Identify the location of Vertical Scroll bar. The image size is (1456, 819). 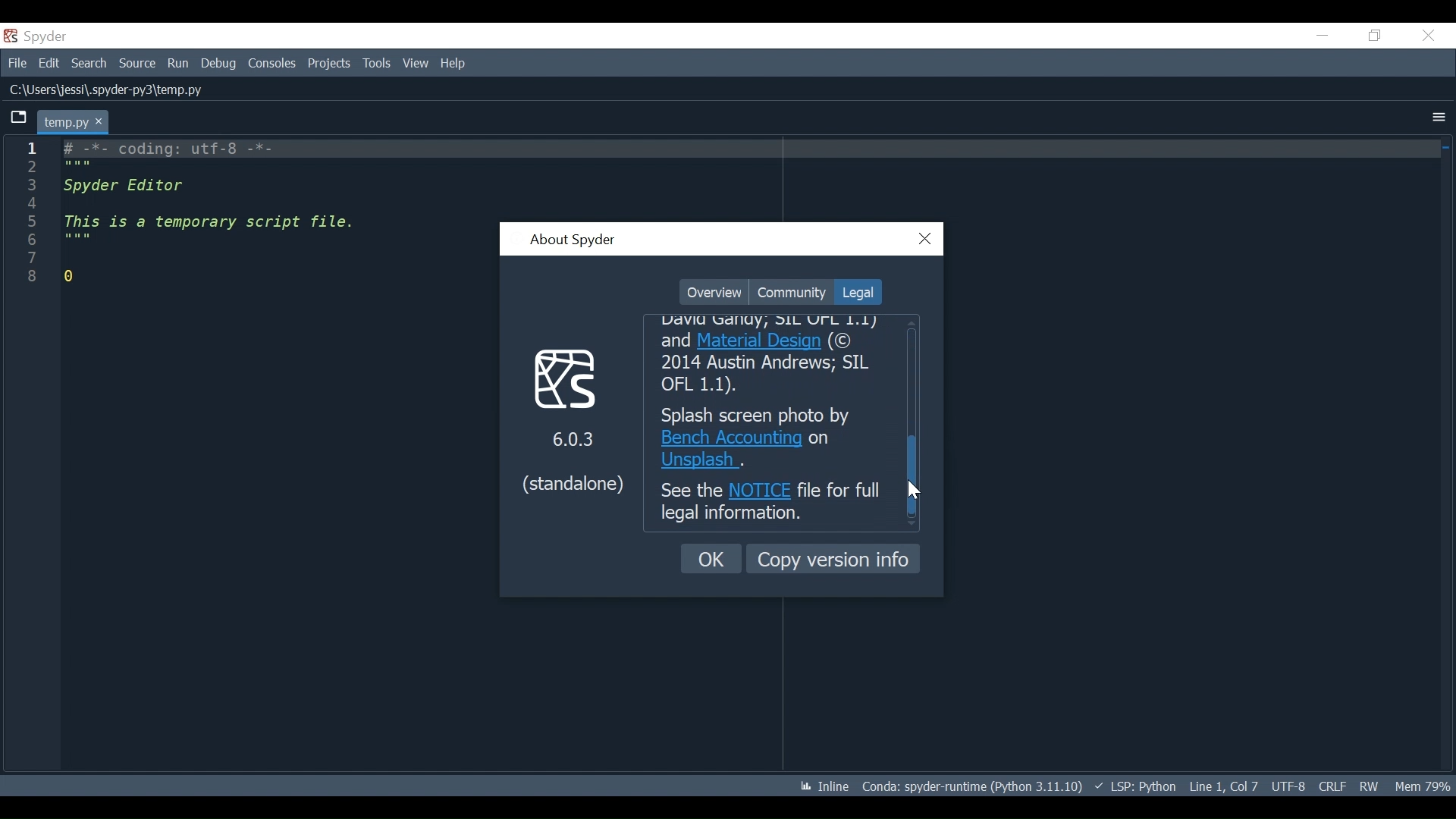
(915, 475).